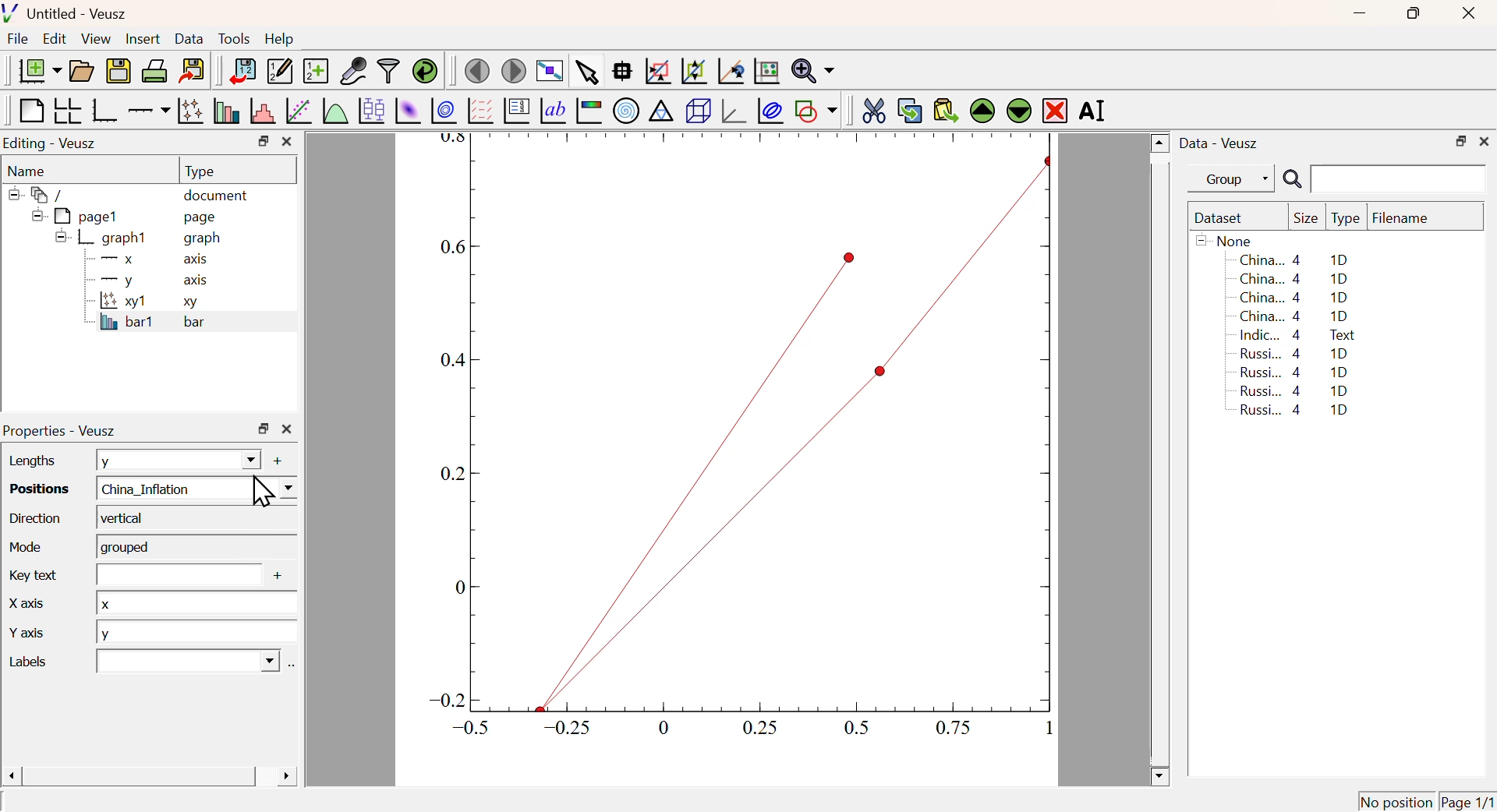  Describe the element at coordinates (1160, 461) in the screenshot. I see `Scroll` at that location.